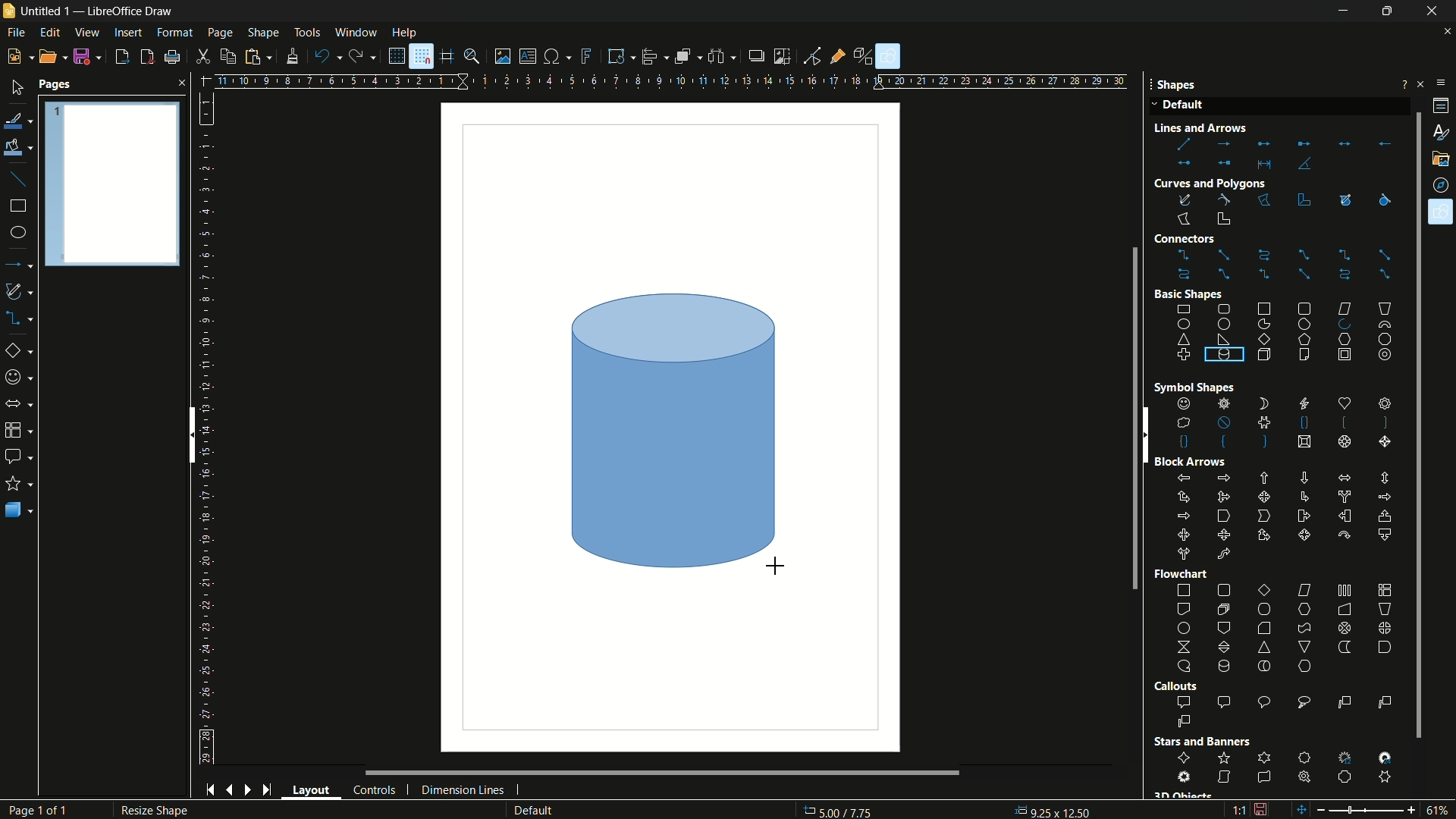 This screenshot has width=1456, height=819. I want to click on paste, so click(262, 56).